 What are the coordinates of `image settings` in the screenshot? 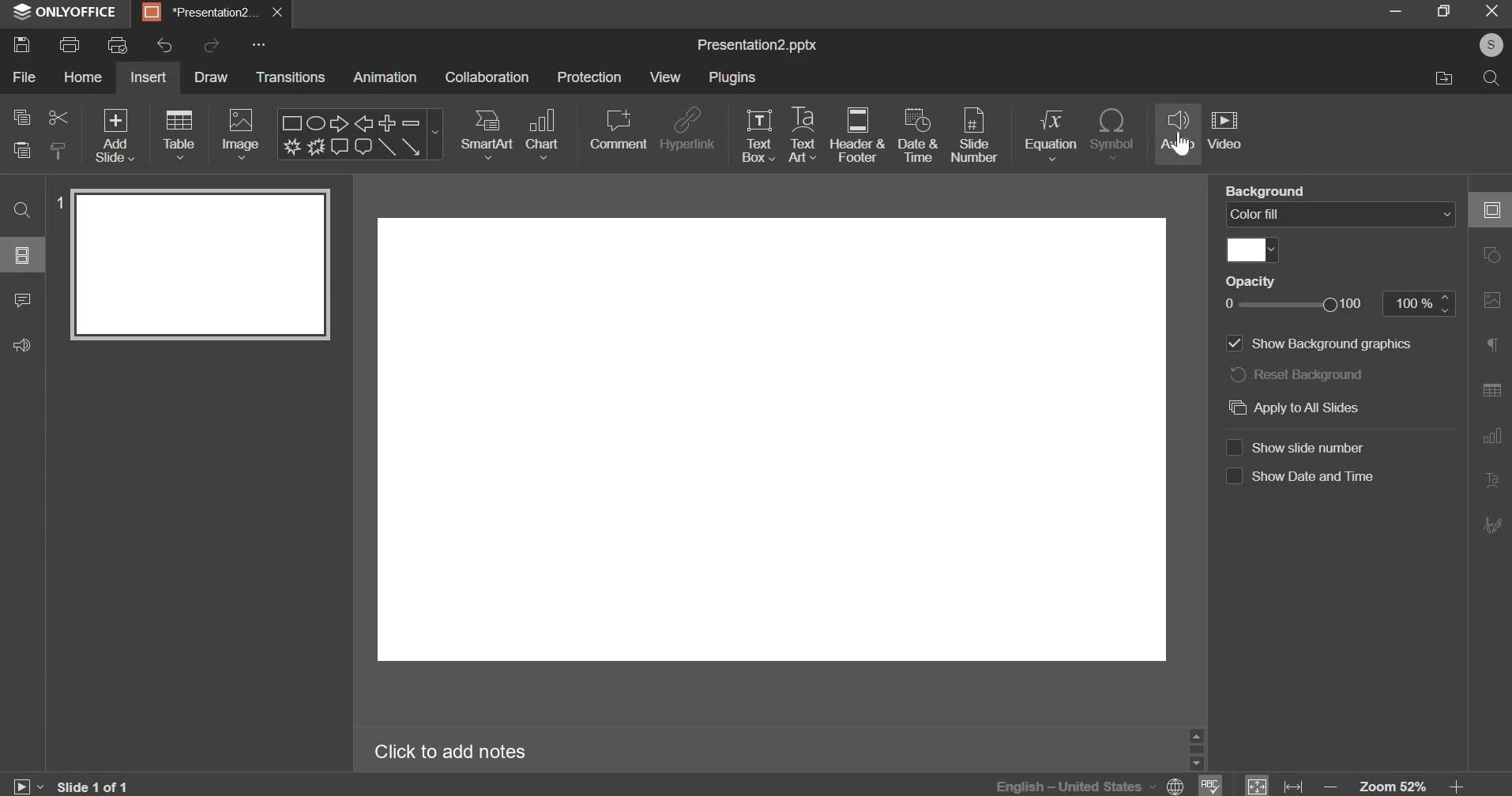 It's located at (1493, 300).